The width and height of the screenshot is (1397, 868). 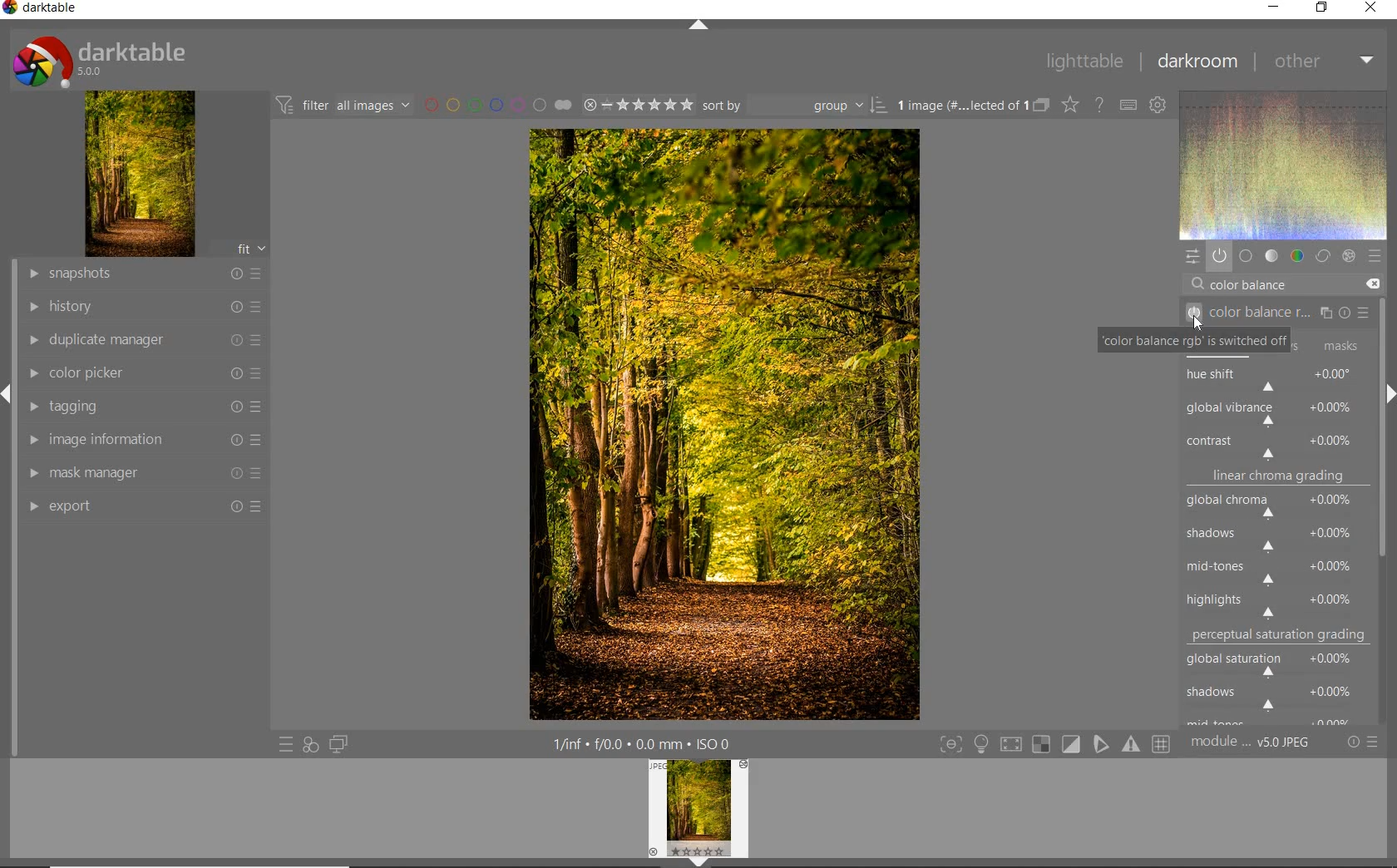 I want to click on image, so click(x=141, y=174).